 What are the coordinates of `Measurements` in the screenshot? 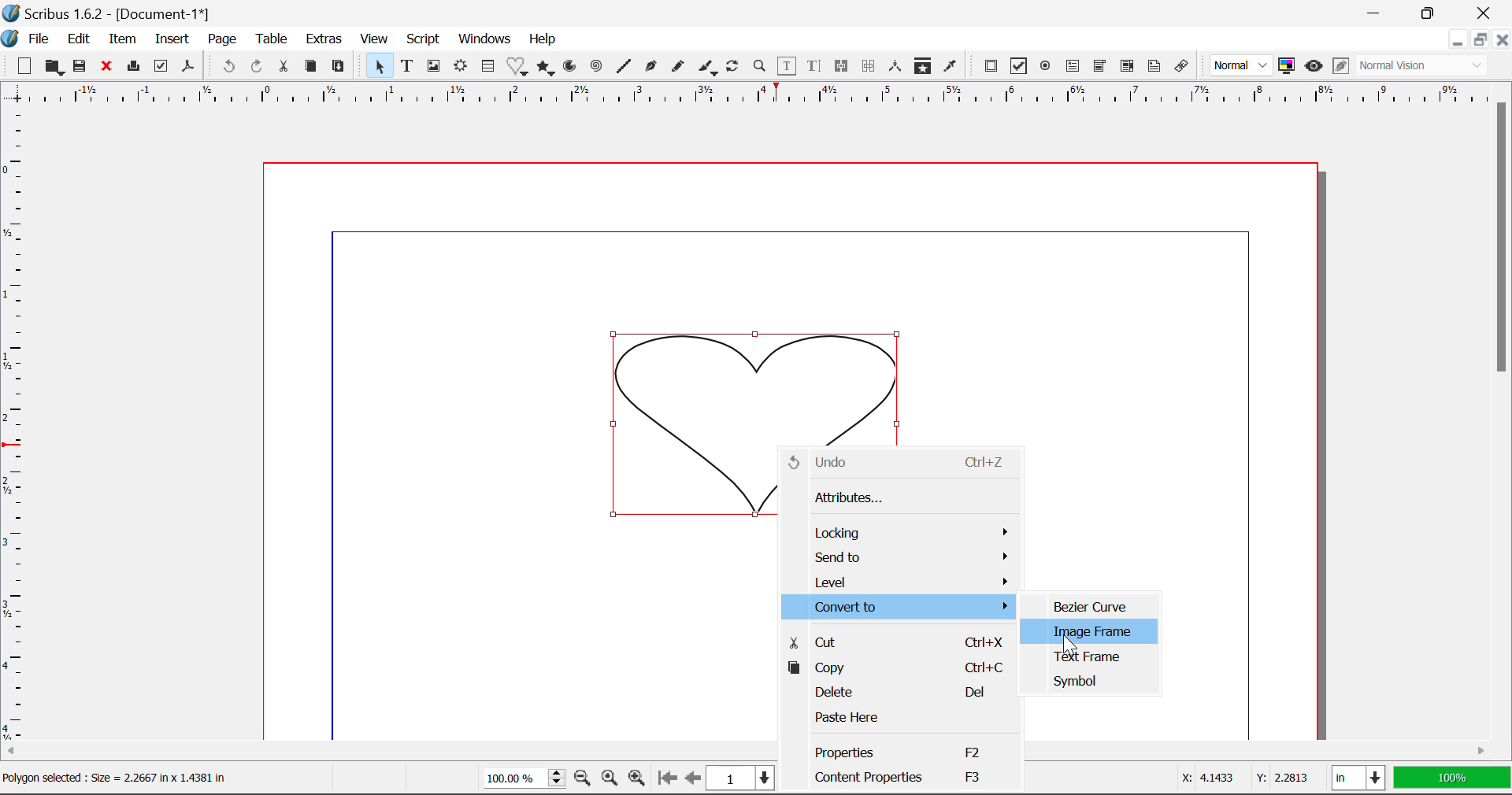 It's located at (897, 67).